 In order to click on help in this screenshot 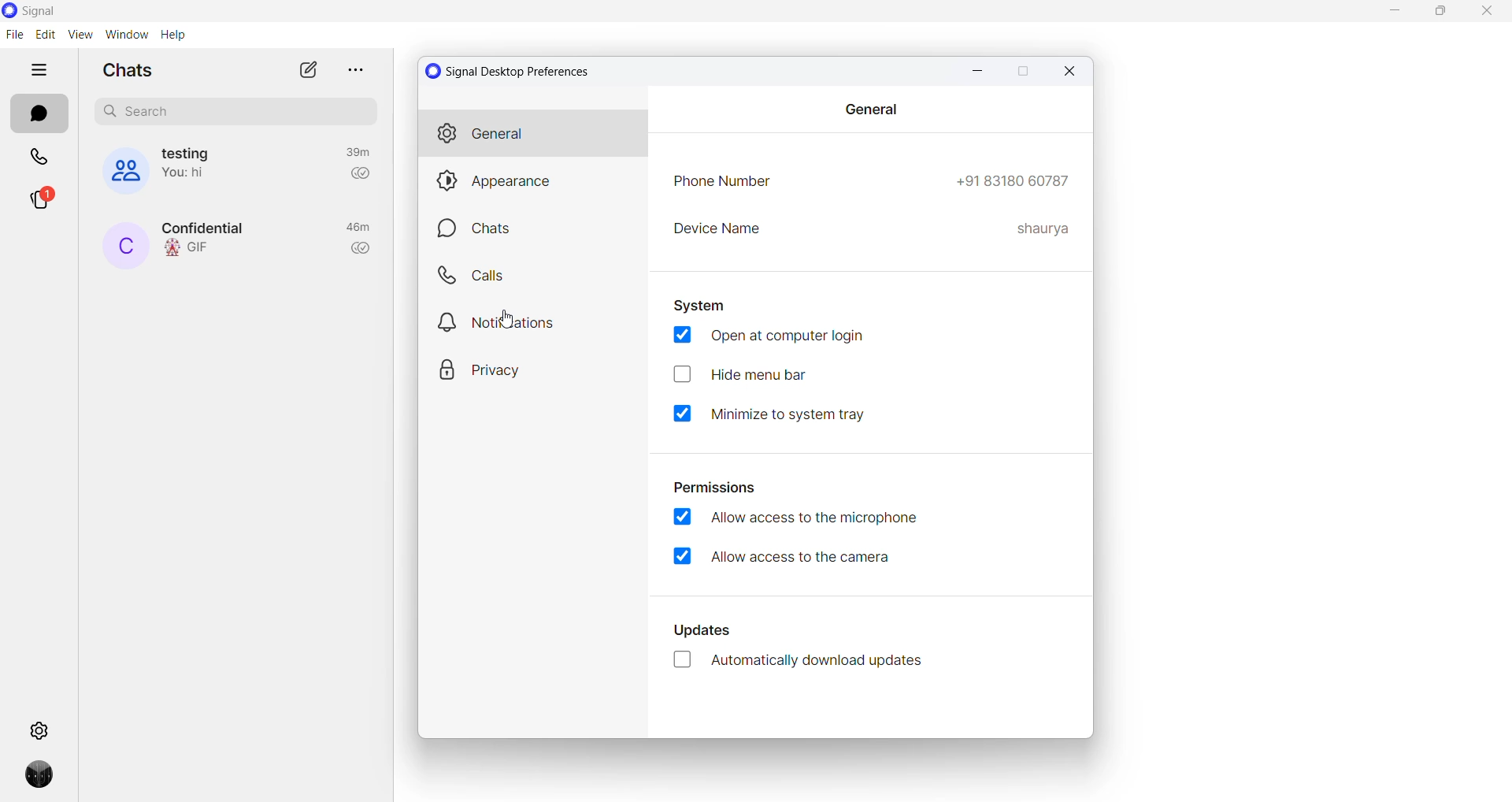, I will do `click(172, 35)`.